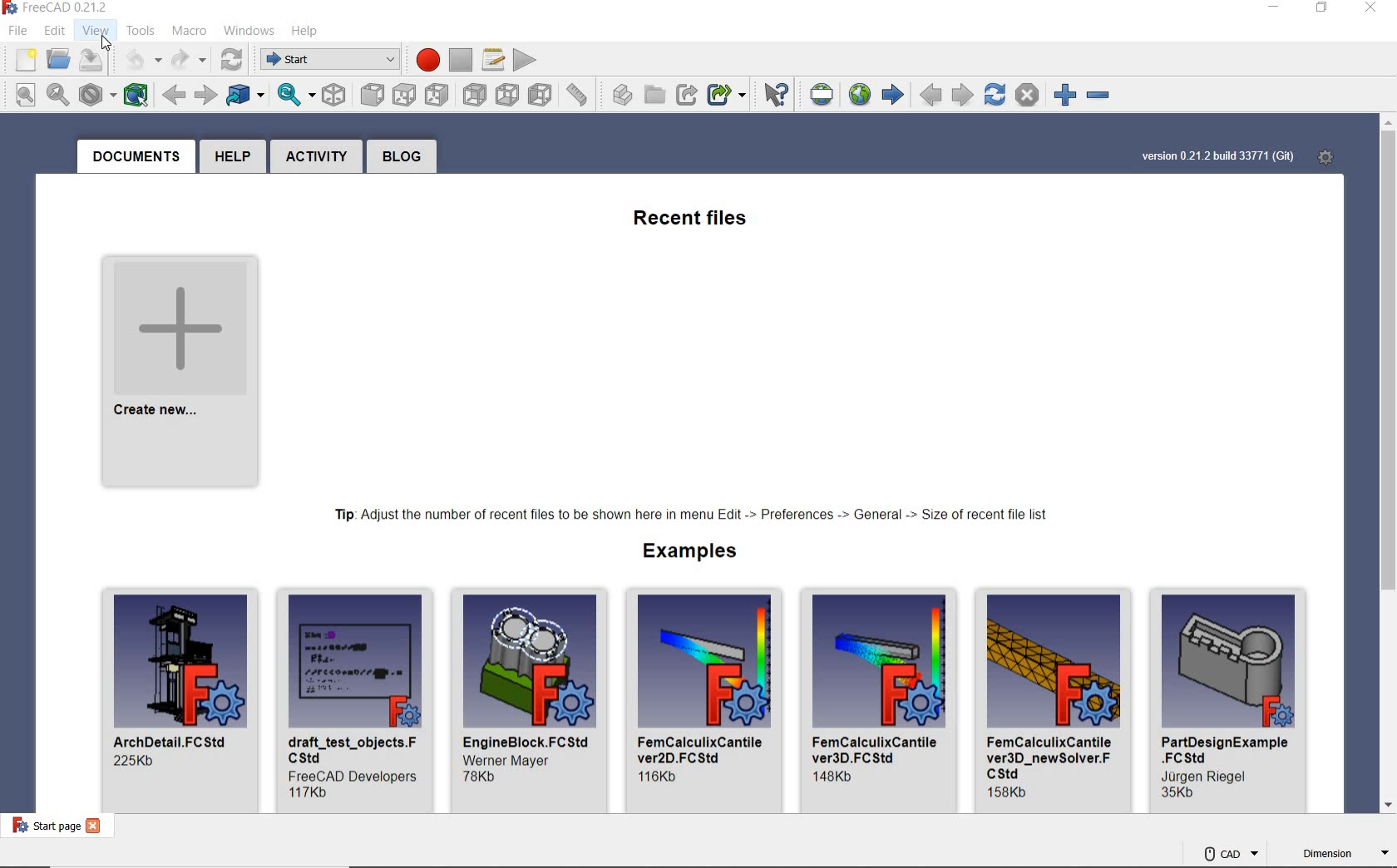 The width and height of the screenshot is (1397, 868). I want to click on start page, so click(43, 827).